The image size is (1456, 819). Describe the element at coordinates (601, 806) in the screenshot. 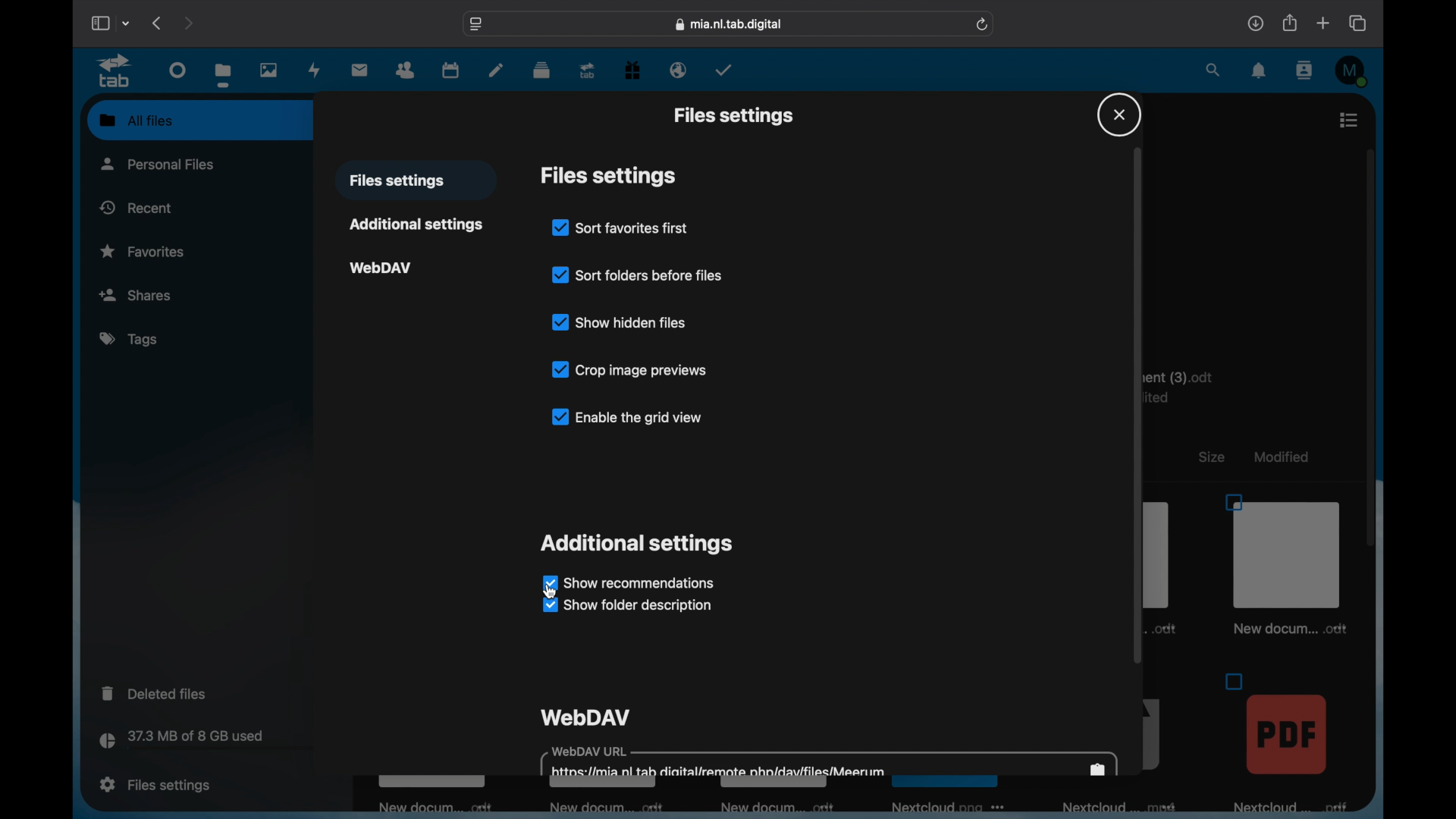

I see `new document` at that location.